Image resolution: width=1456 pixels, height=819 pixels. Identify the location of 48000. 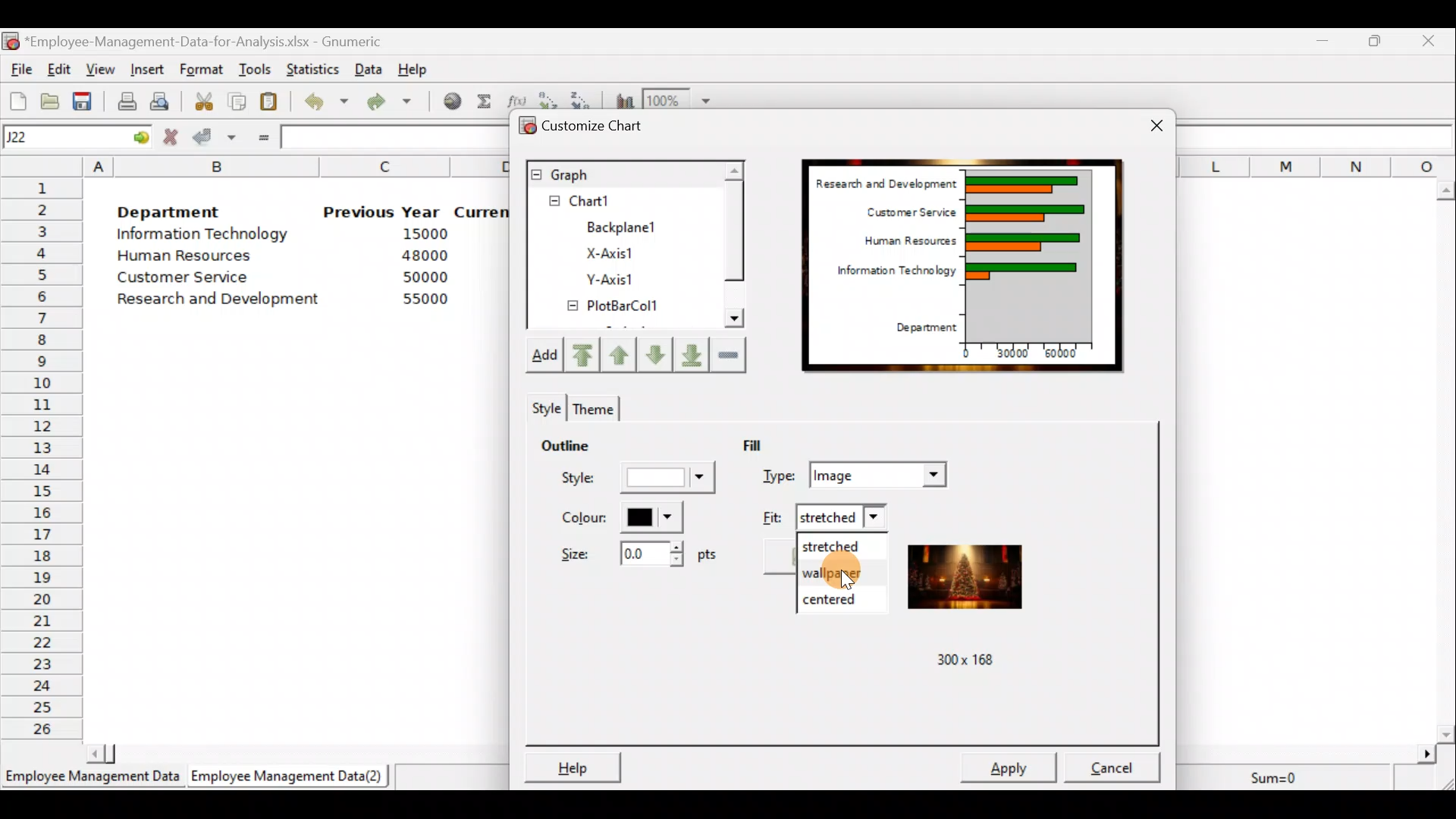
(424, 257).